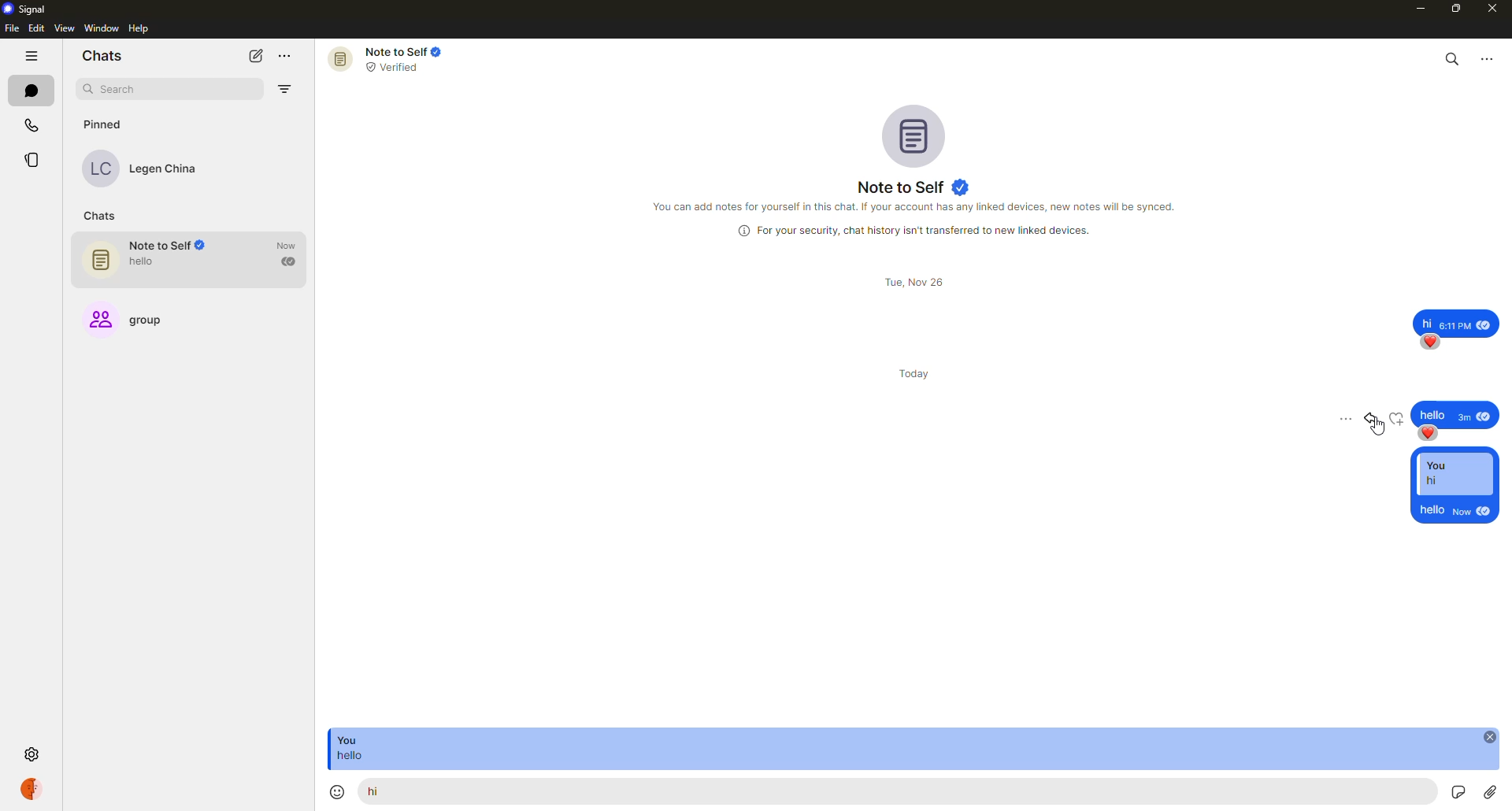 This screenshot has width=1512, height=811. What do you see at coordinates (1432, 343) in the screenshot?
I see `reaction` at bounding box center [1432, 343].